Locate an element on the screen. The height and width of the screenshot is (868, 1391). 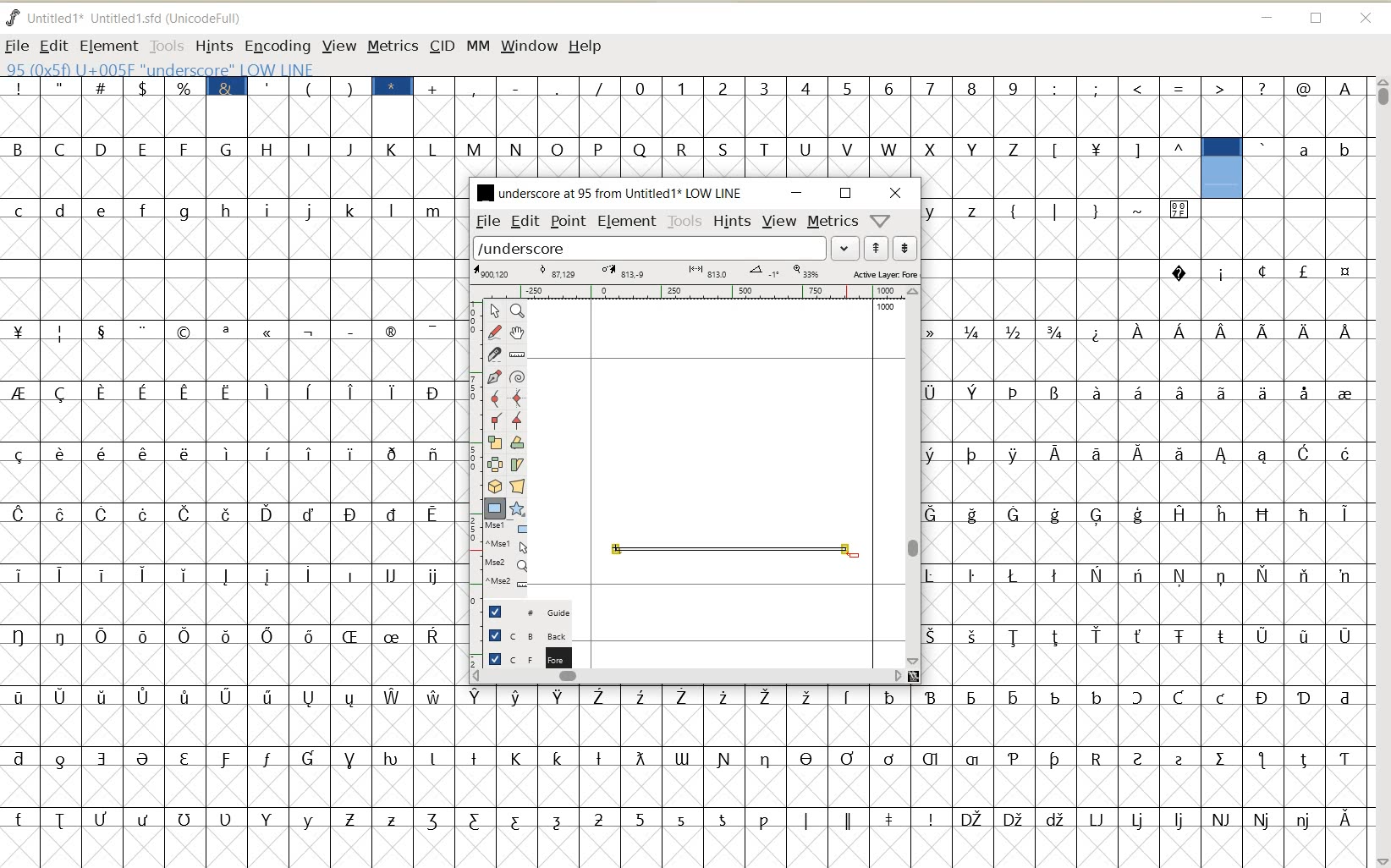
FONTFORGE is located at coordinates (13, 17).